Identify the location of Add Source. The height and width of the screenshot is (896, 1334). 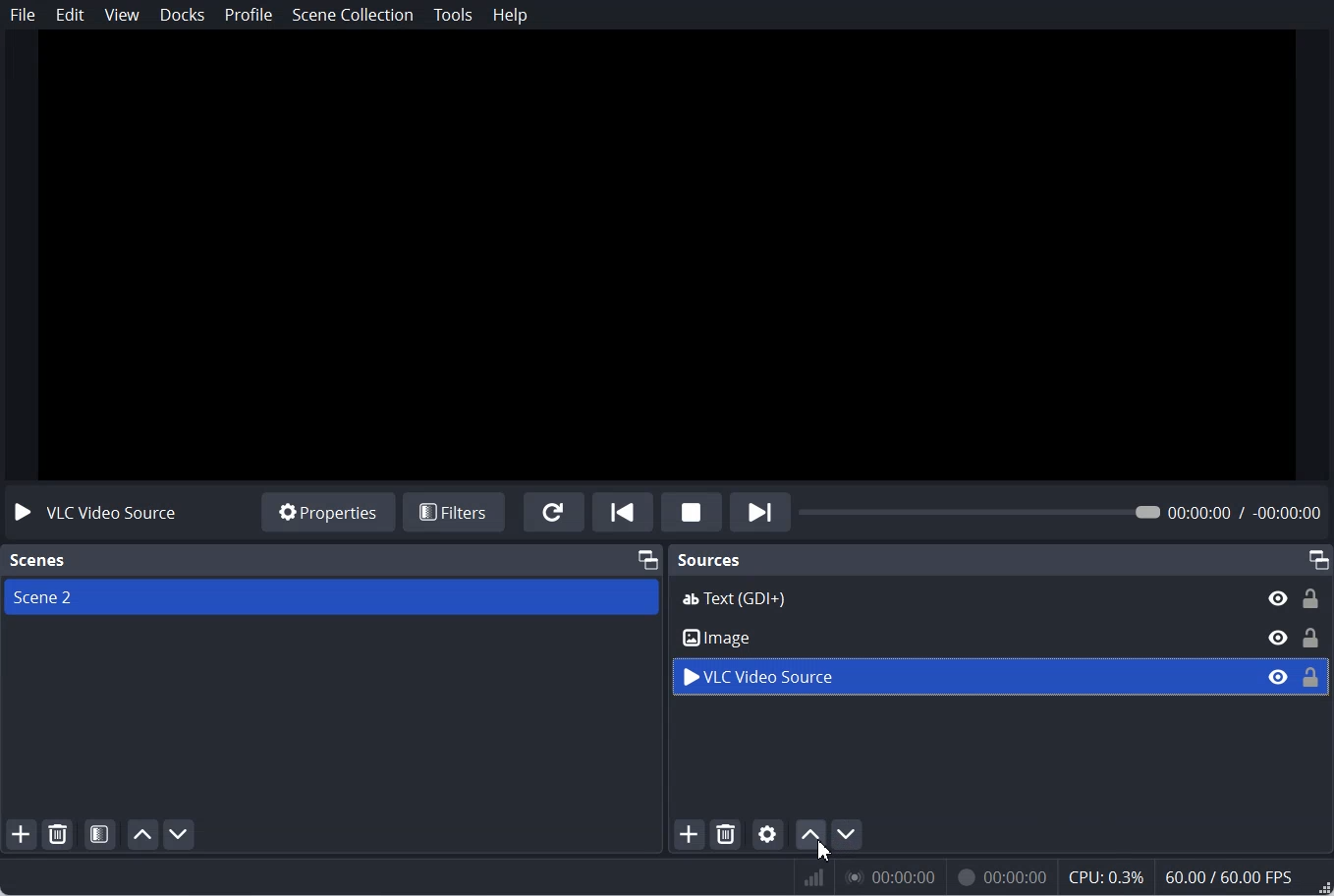
(689, 834).